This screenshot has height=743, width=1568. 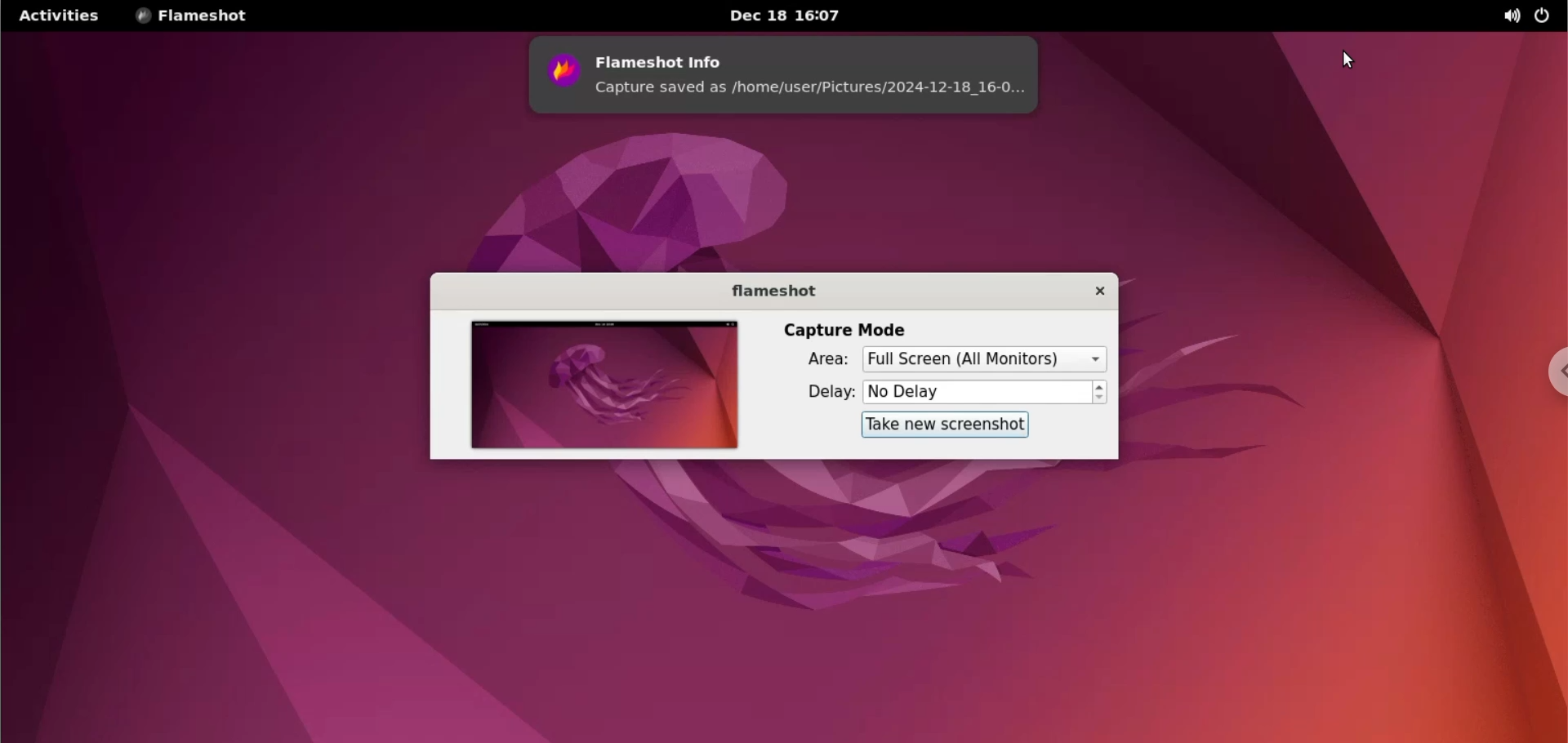 What do you see at coordinates (982, 359) in the screenshot?
I see `capture area options` at bounding box center [982, 359].